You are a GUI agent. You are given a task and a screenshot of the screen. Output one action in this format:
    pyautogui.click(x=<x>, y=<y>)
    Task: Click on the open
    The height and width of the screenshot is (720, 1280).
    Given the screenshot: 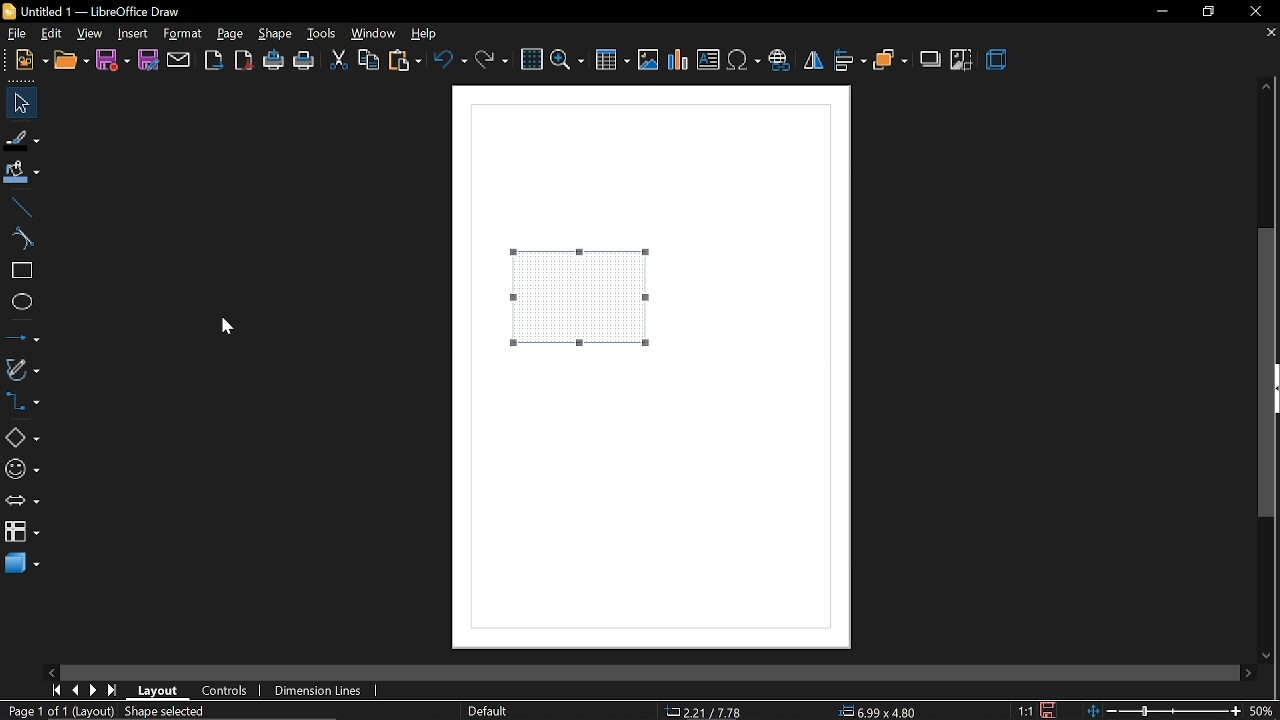 What is the action you would take?
    pyautogui.click(x=72, y=60)
    